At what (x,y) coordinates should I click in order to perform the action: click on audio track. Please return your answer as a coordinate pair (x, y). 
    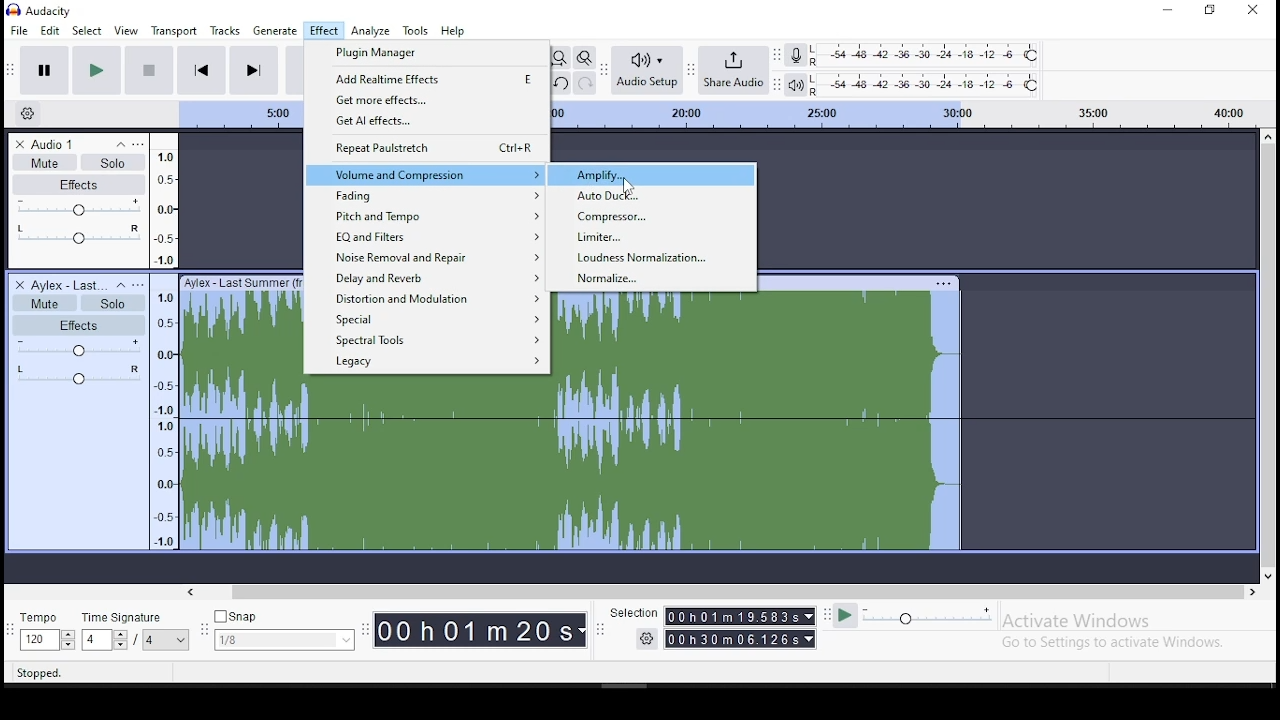
    Looking at the image, I should click on (239, 324).